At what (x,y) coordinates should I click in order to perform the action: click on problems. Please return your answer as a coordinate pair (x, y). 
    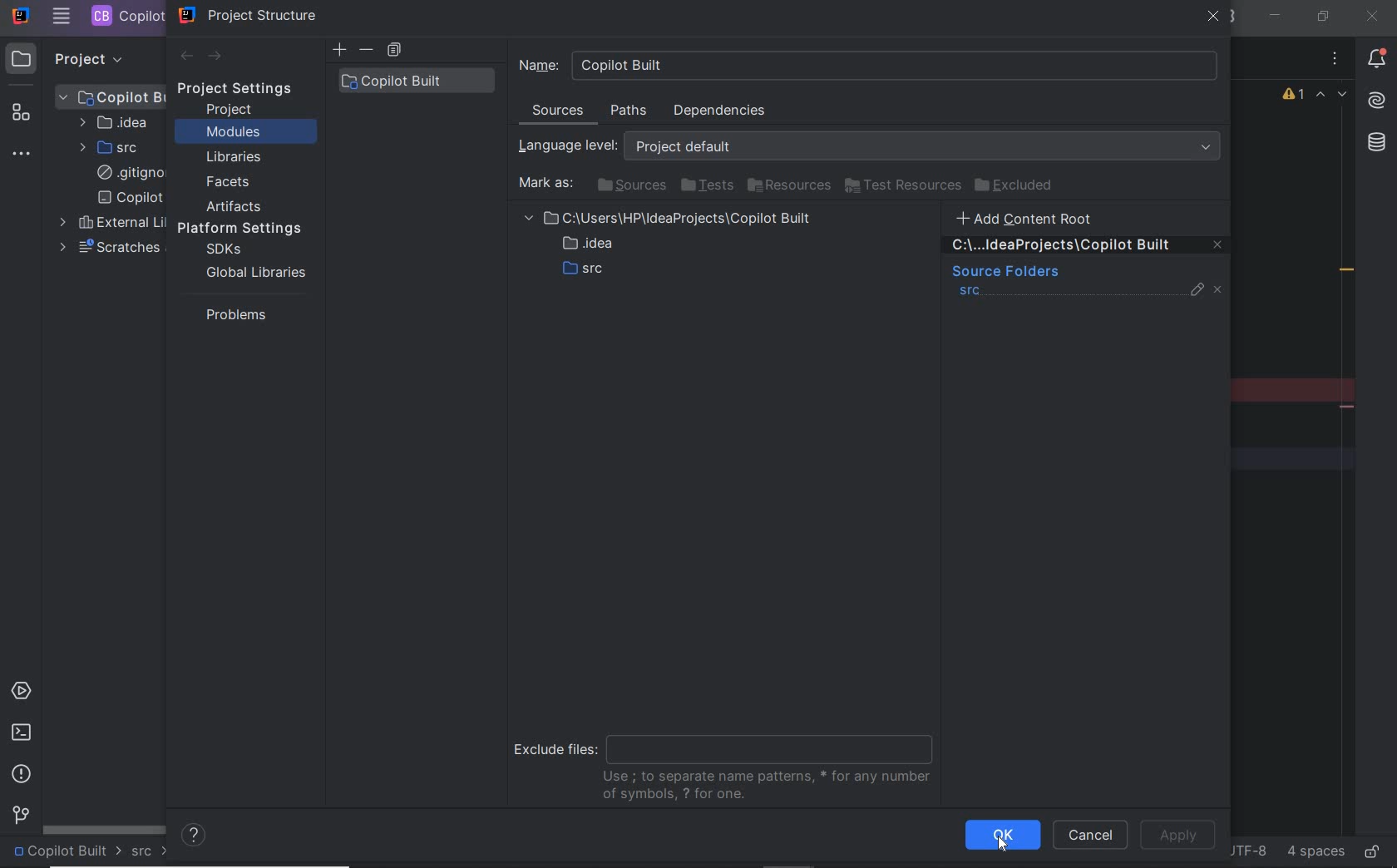
    Looking at the image, I should click on (22, 774).